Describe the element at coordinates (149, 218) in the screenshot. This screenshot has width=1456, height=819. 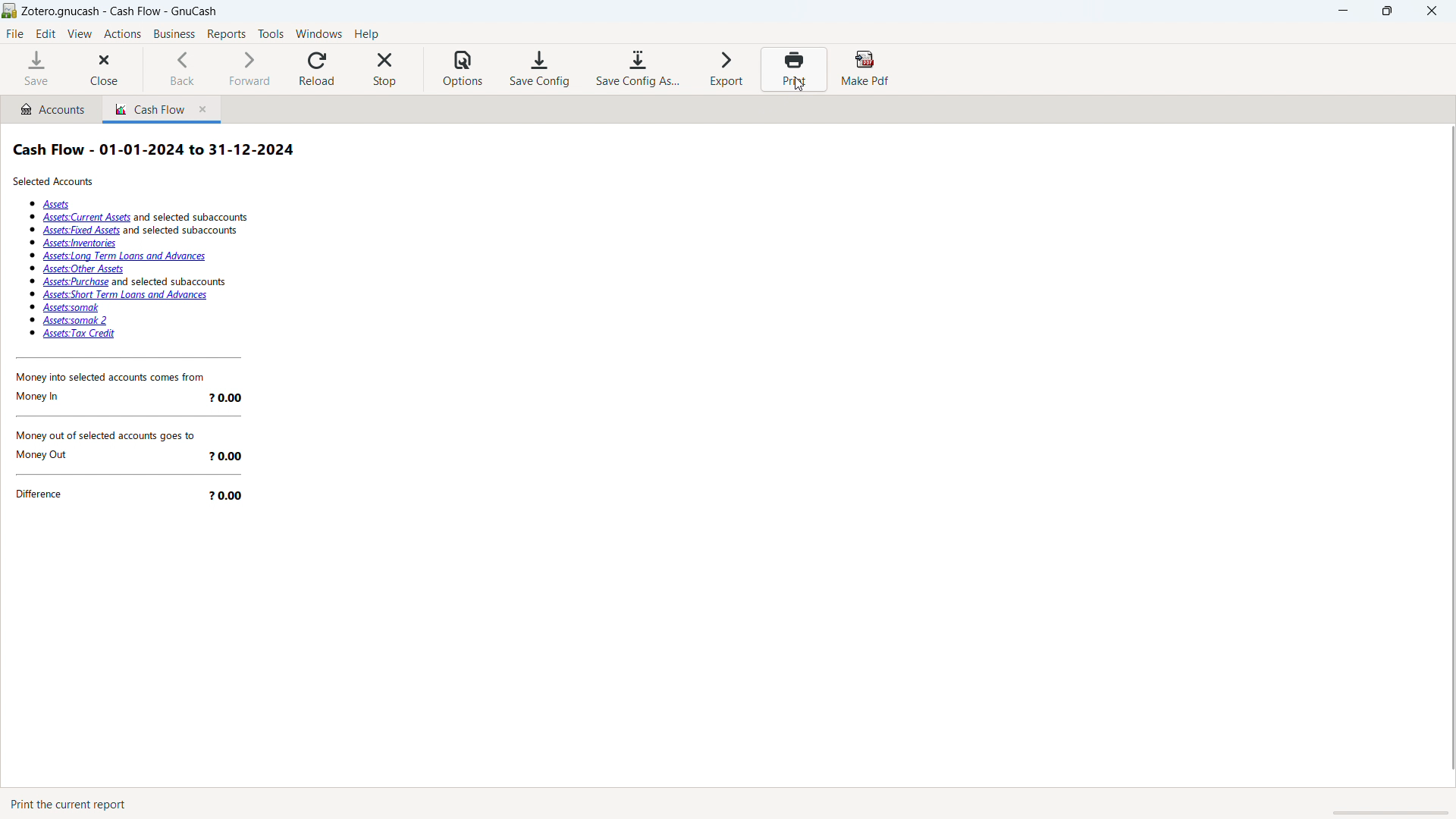
I see `assets: current assets` at that location.